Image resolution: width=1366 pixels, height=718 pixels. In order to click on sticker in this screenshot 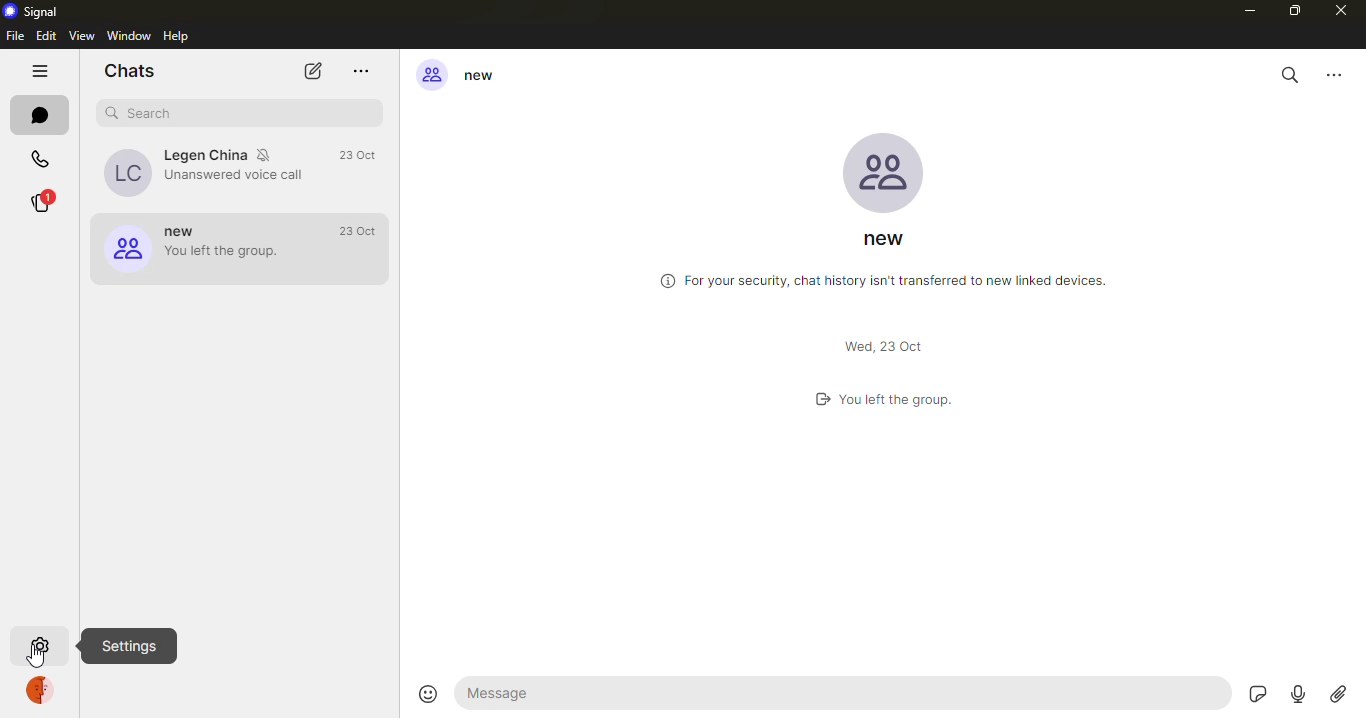, I will do `click(1257, 695)`.